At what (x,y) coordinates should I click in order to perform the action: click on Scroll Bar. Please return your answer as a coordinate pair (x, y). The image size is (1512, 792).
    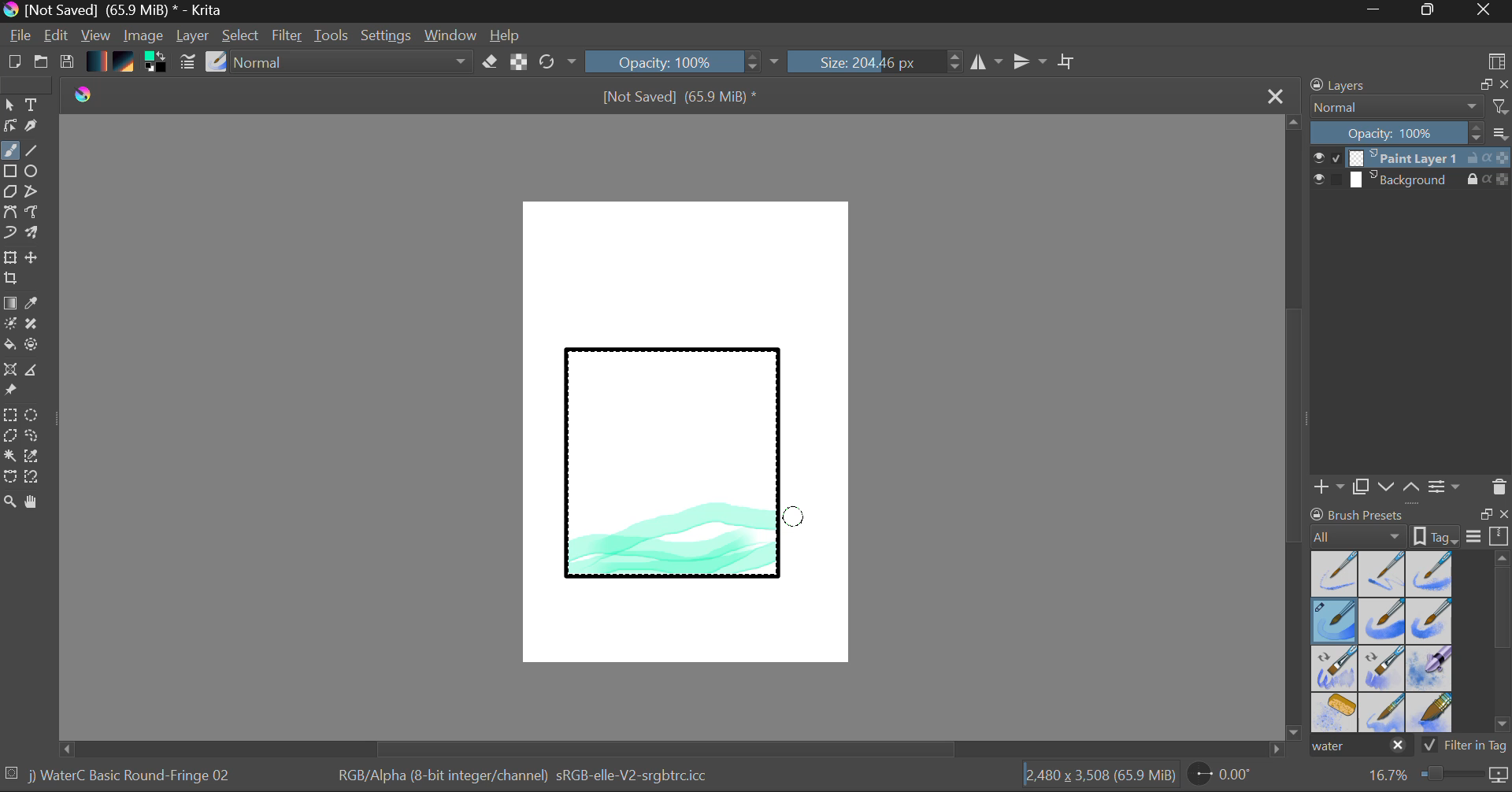
    Looking at the image, I should click on (1295, 429).